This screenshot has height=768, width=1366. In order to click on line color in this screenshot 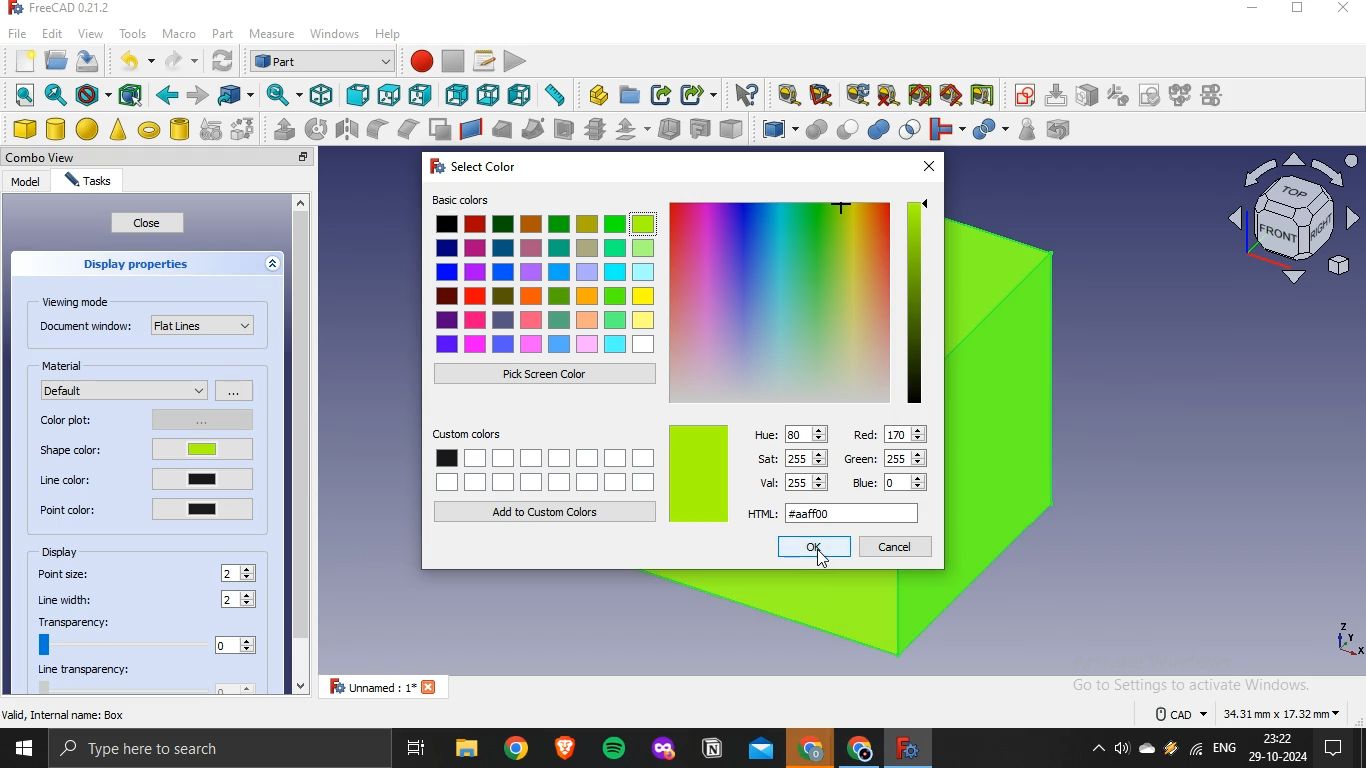, I will do `click(147, 479)`.